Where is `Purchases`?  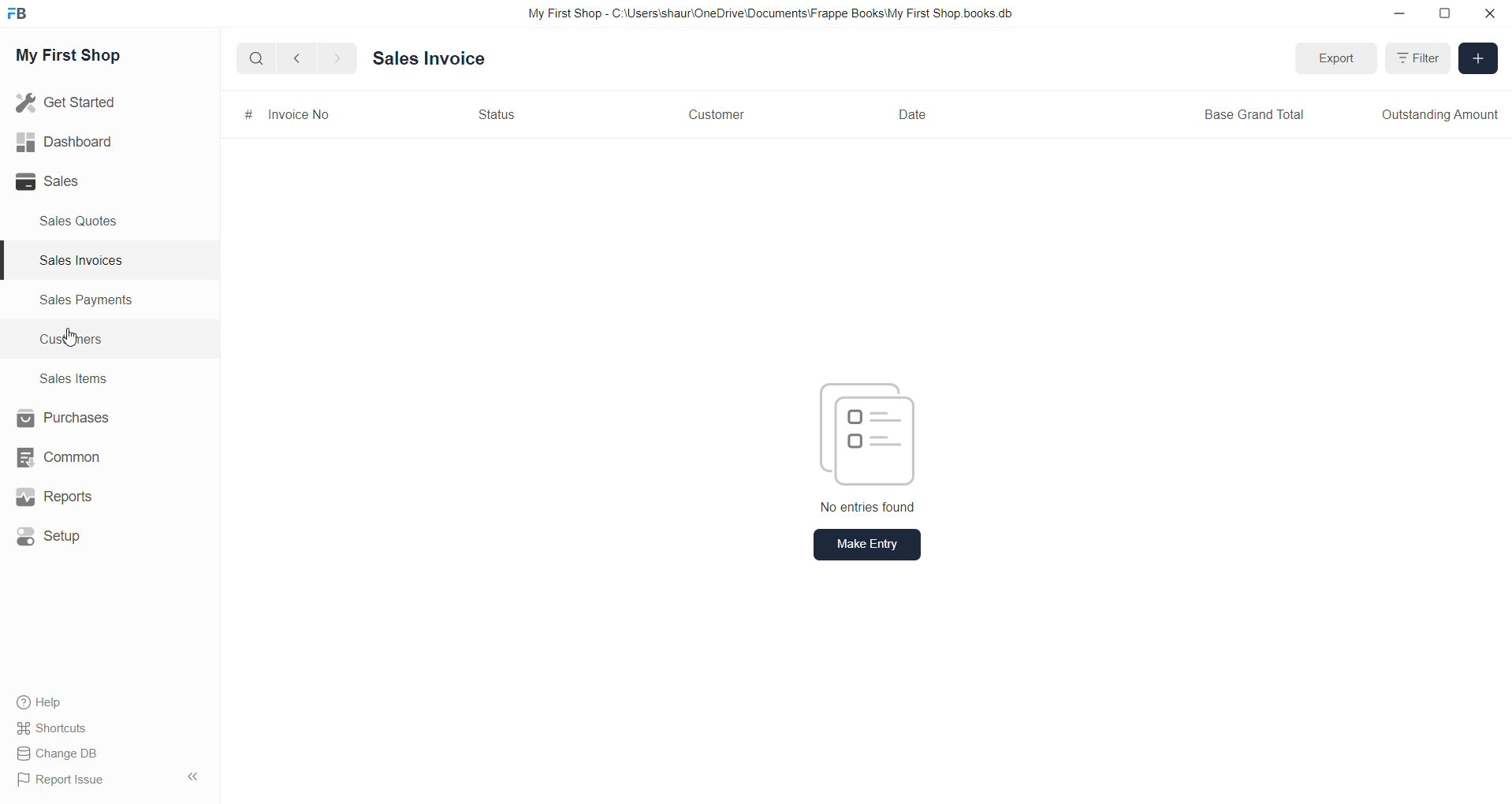 Purchases is located at coordinates (64, 418).